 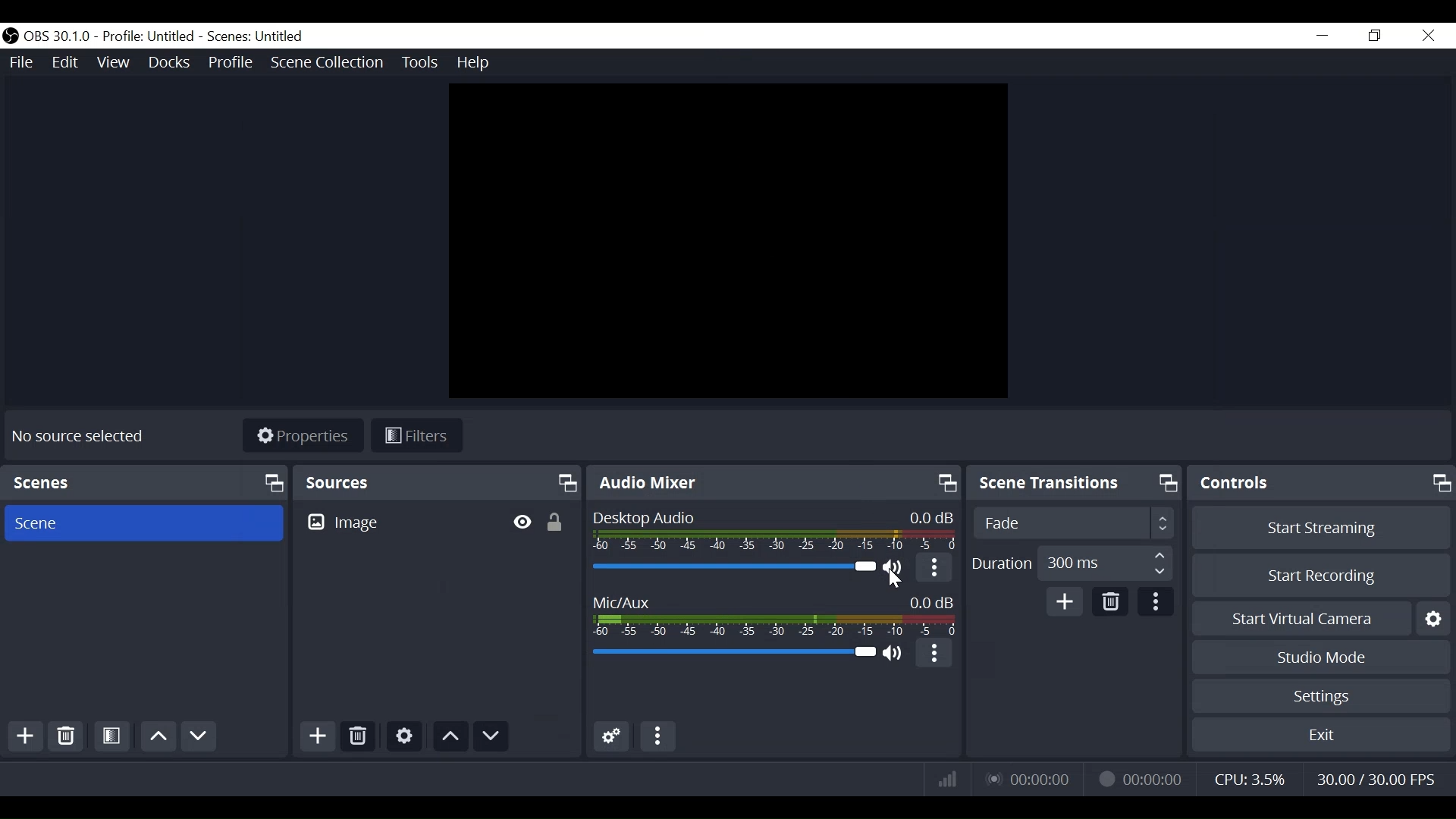 I want to click on Docks, so click(x=171, y=64).